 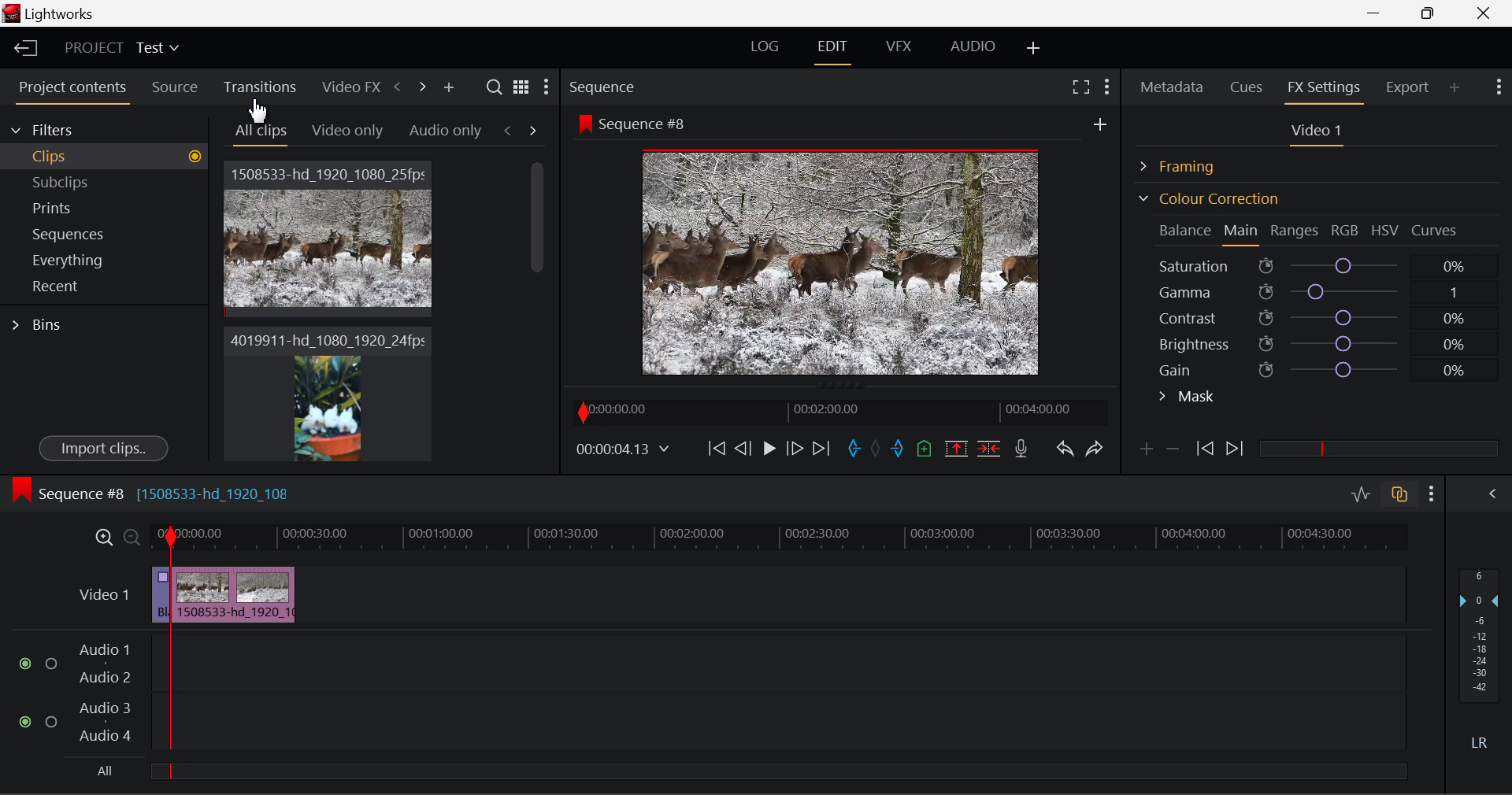 I want to click on Balance Section, so click(x=1187, y=230).